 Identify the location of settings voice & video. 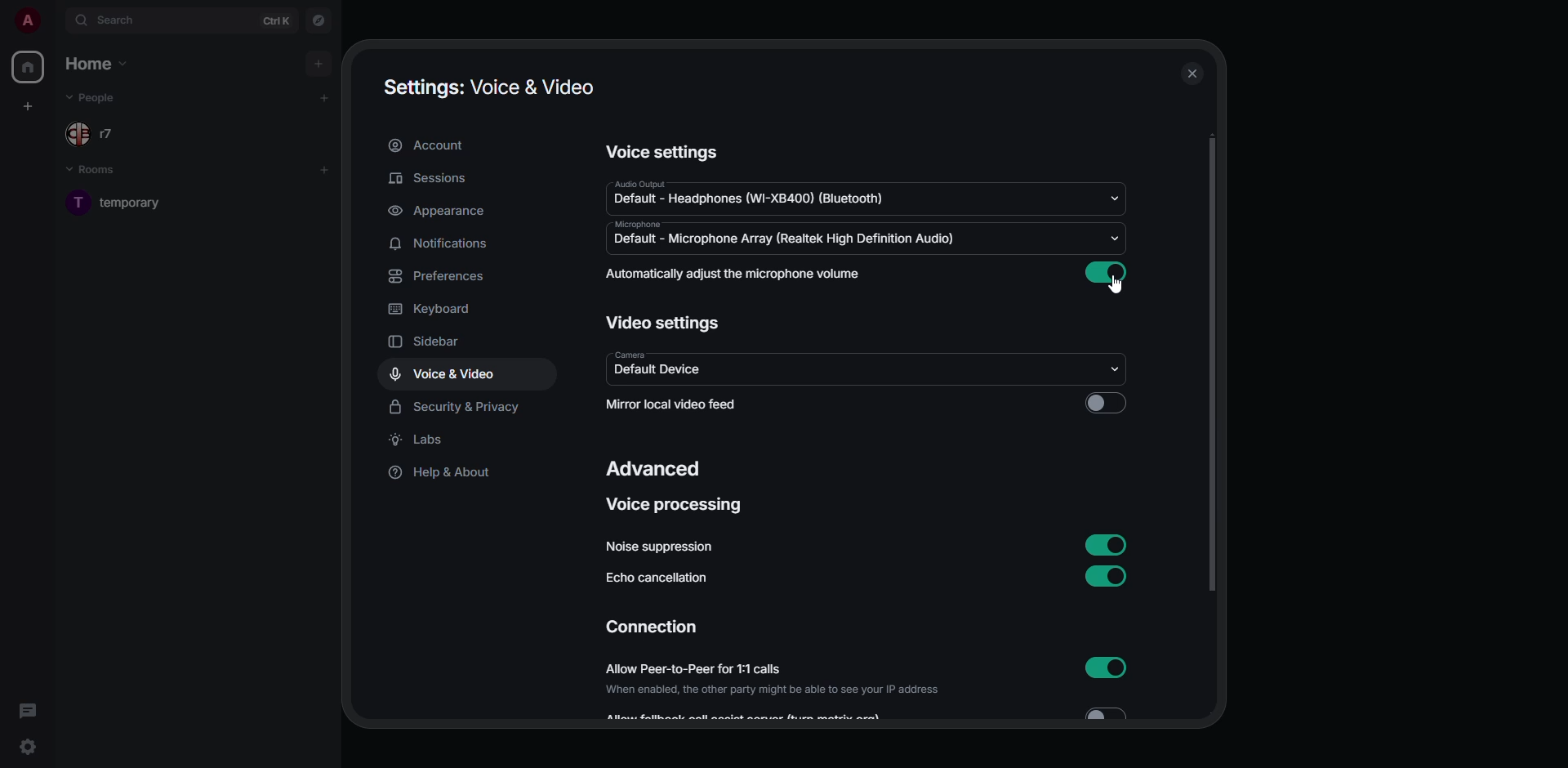
(487, 86).